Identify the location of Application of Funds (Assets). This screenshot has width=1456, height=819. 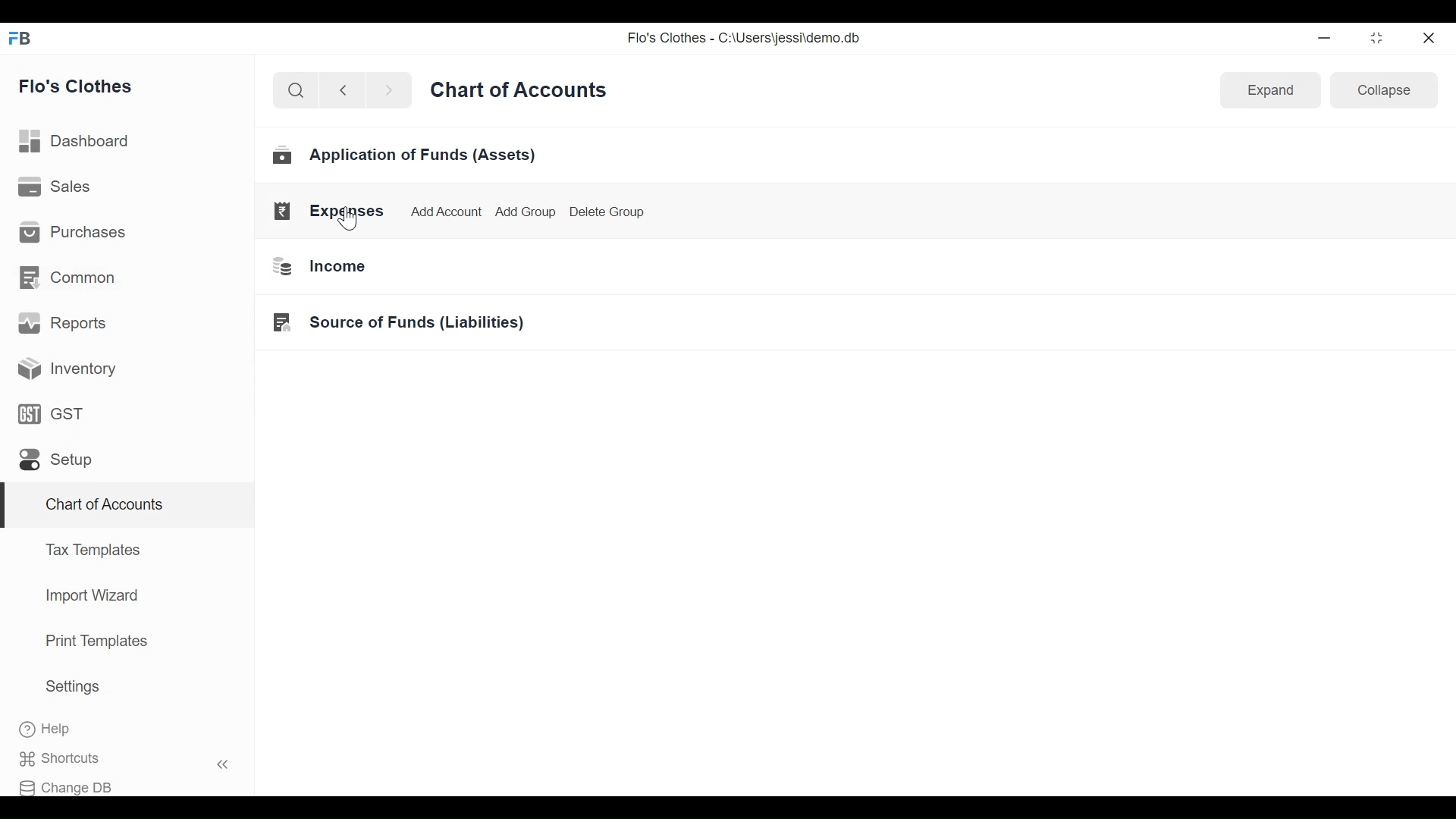
(406, 158).